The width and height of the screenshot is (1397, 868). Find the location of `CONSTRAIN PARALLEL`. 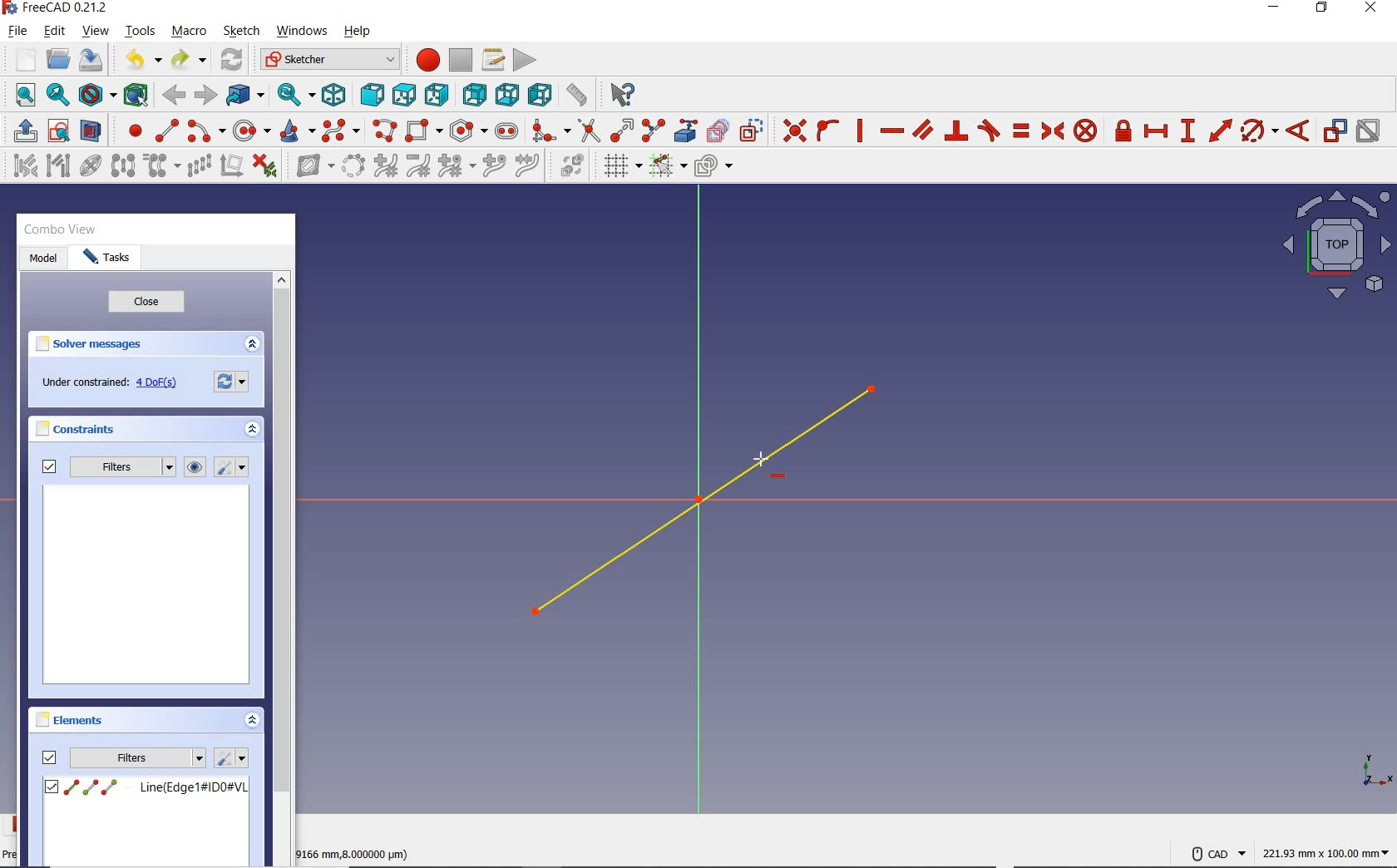

CONSTRAIN PARALLEL is located at coordinates (923, 129).